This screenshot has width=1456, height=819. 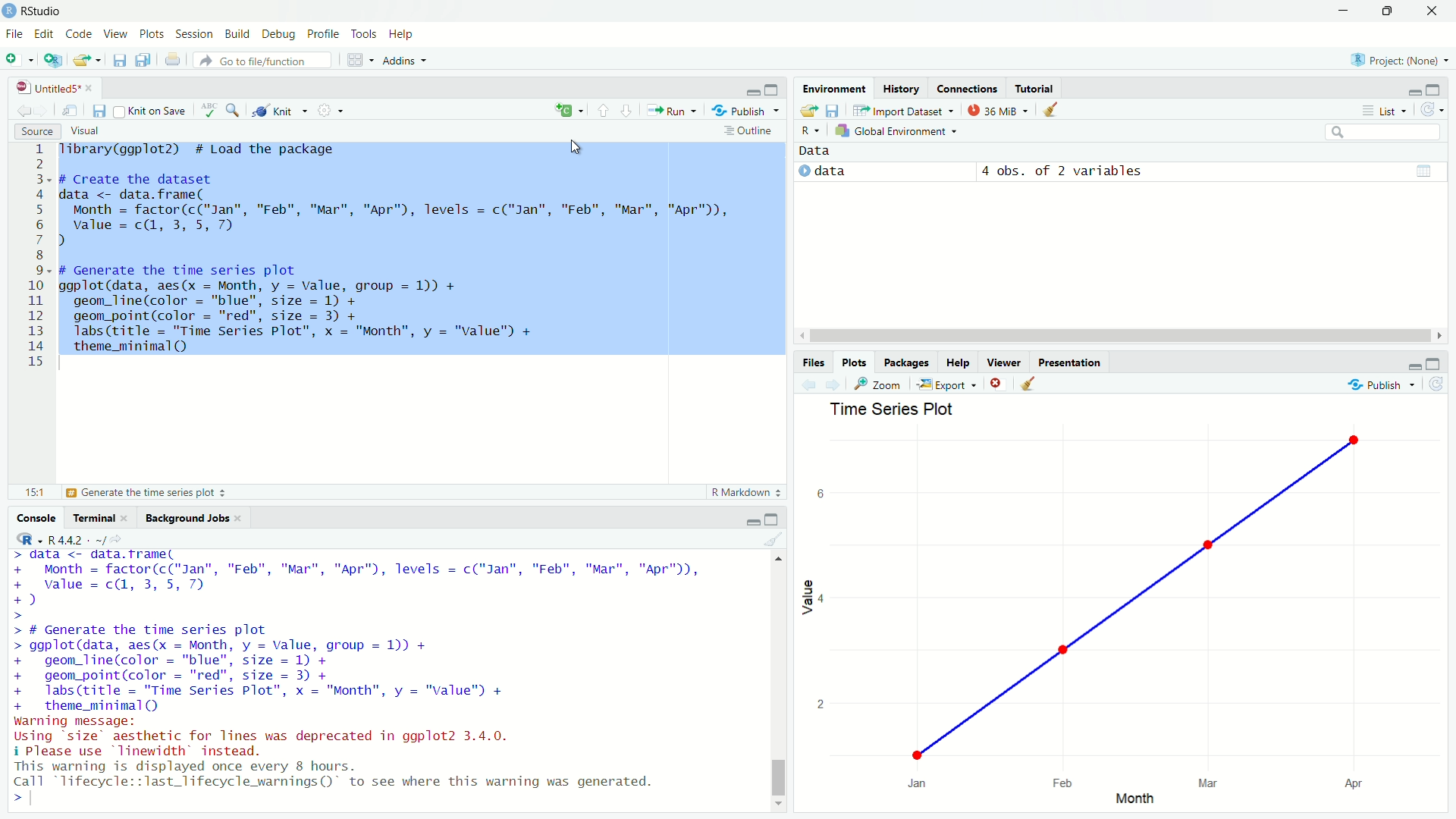 What do you see at coordinates (831, 87) in the screenshot?
I see `environment` at bounding box center [831, 87].